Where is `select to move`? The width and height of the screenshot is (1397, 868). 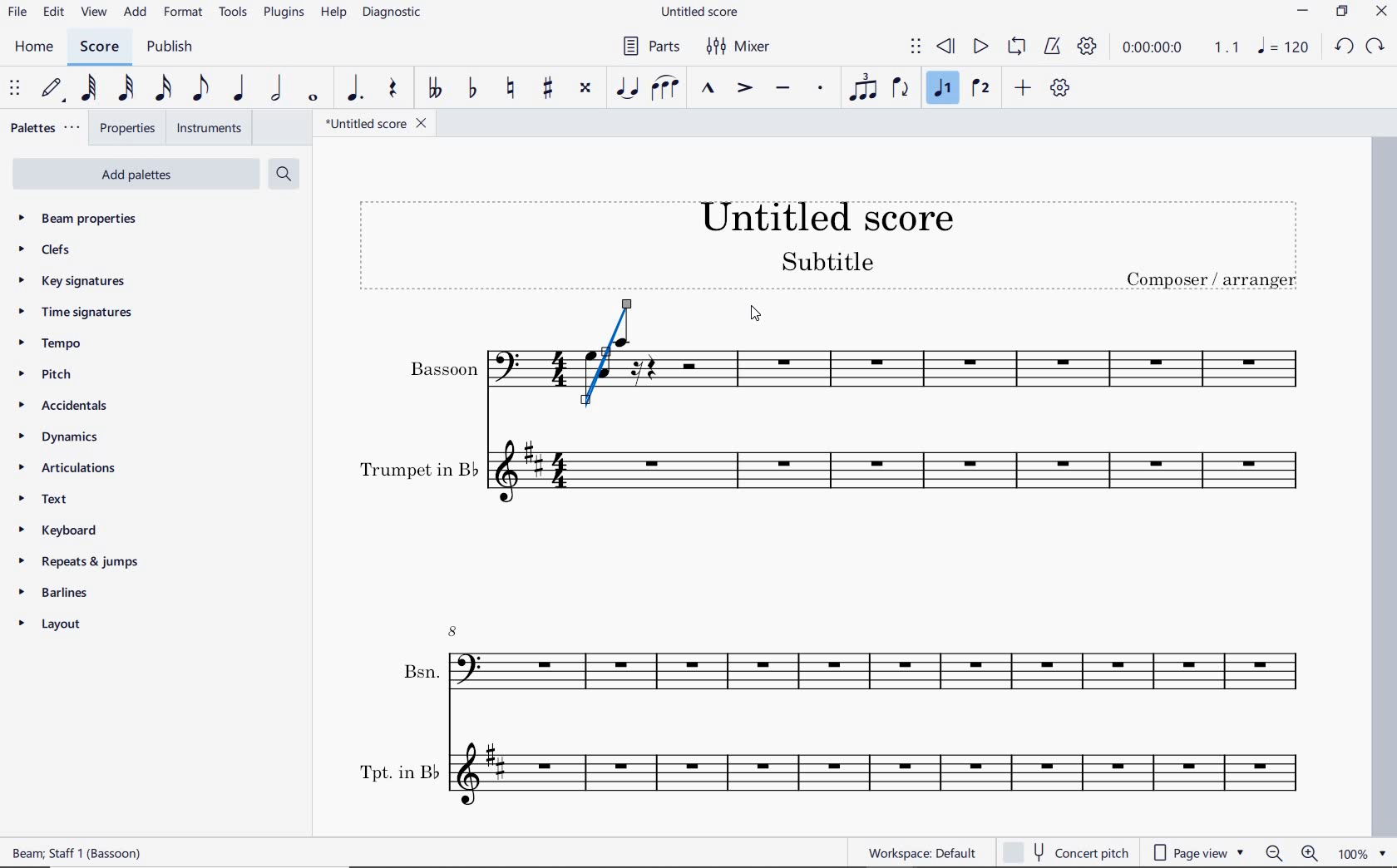
select to move is located at coordinates (15, 90).